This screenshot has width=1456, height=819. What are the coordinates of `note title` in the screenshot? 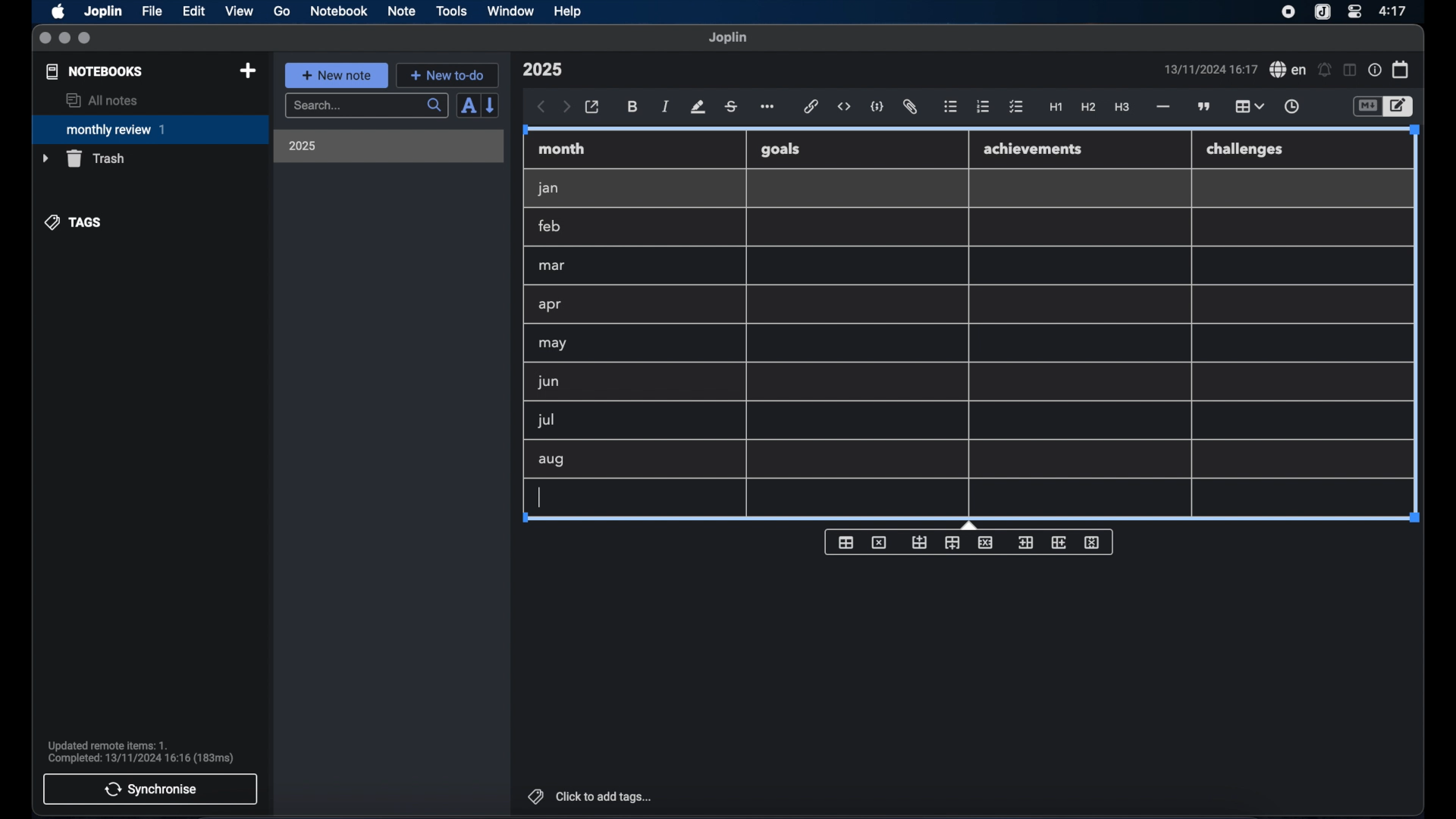 It's located at (542, 70).